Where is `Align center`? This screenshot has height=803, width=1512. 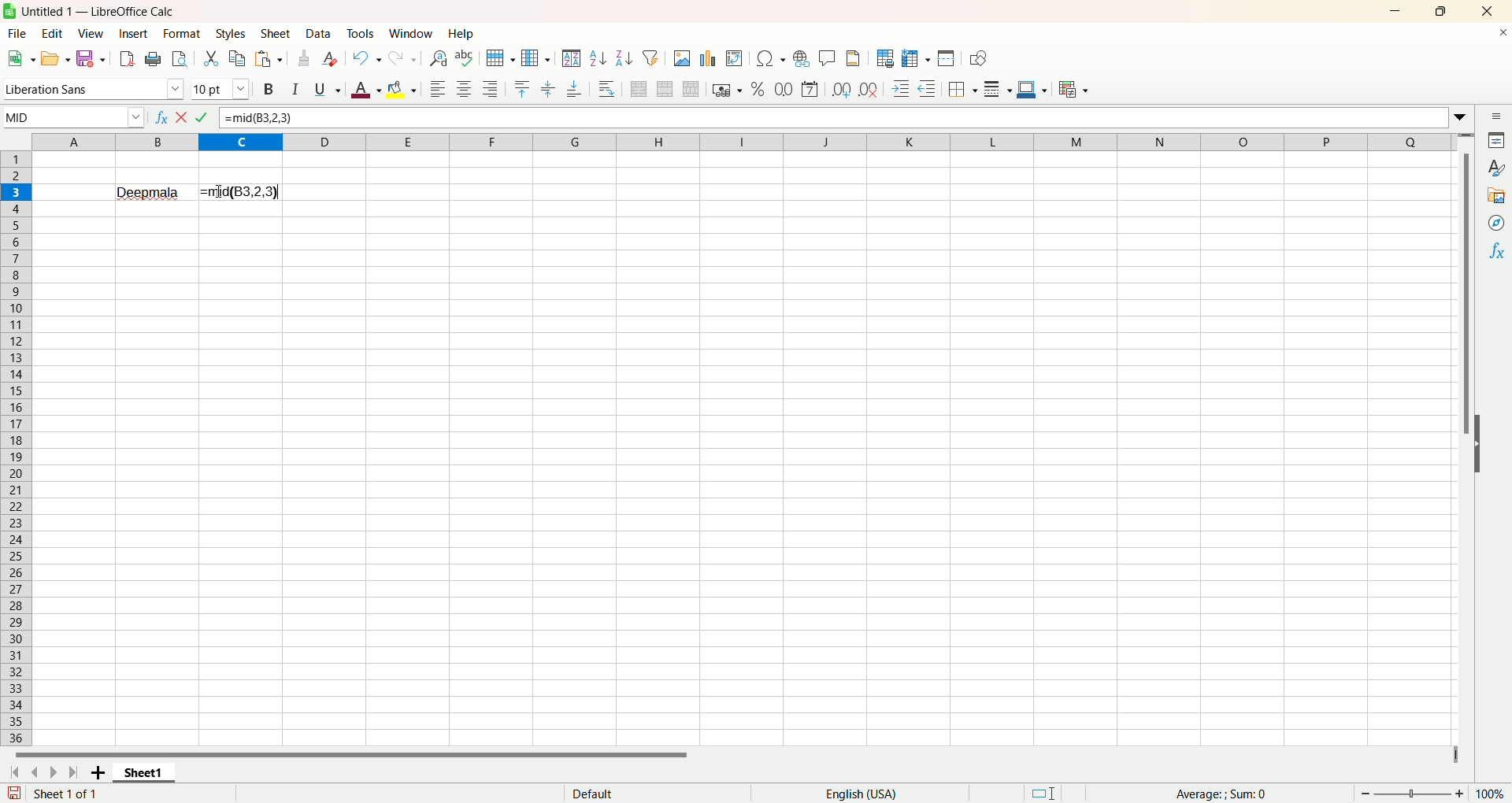 Align center is located at coordinates (465, 90).